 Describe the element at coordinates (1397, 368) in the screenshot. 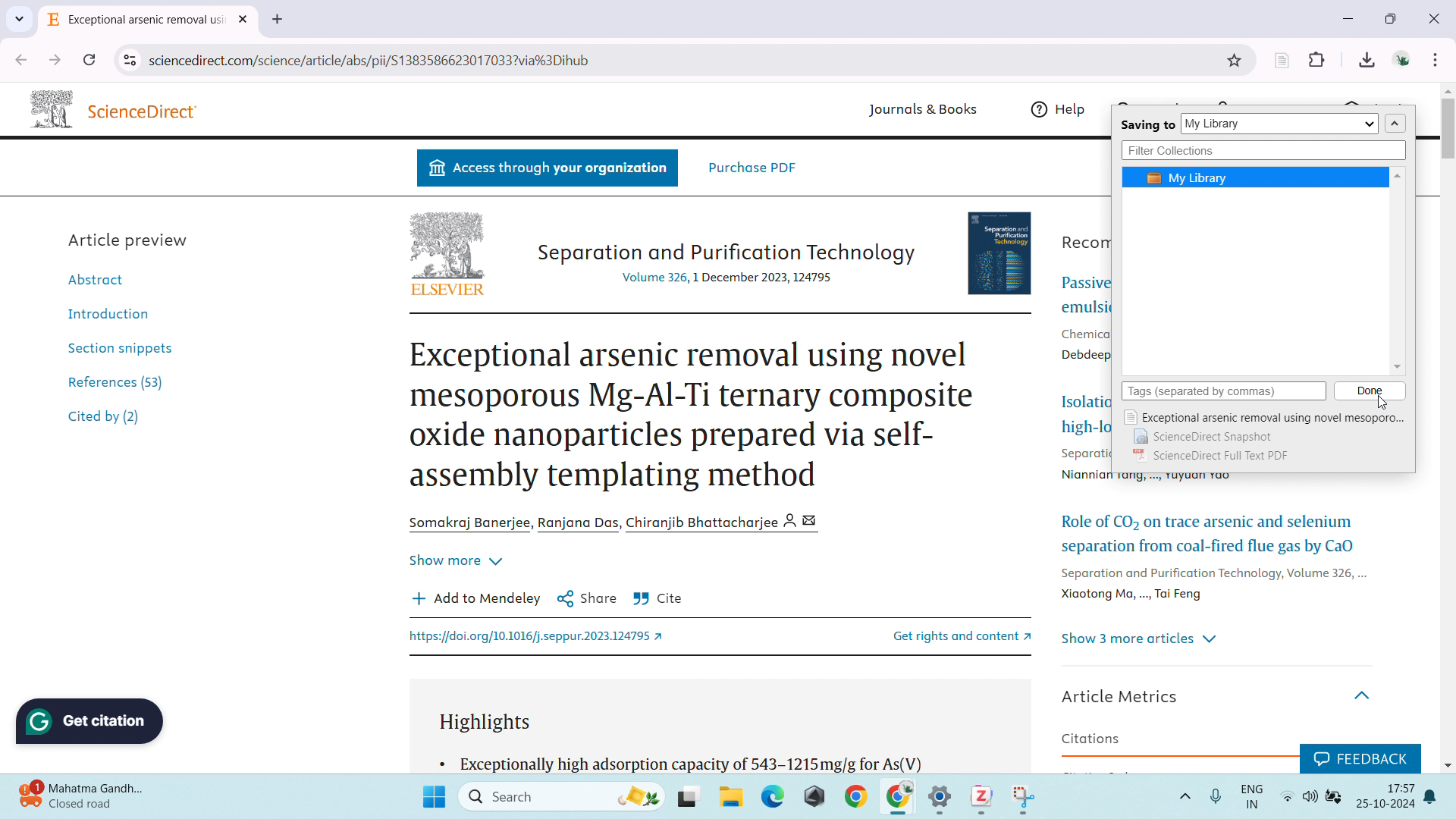

I see `scroll down` at that location.